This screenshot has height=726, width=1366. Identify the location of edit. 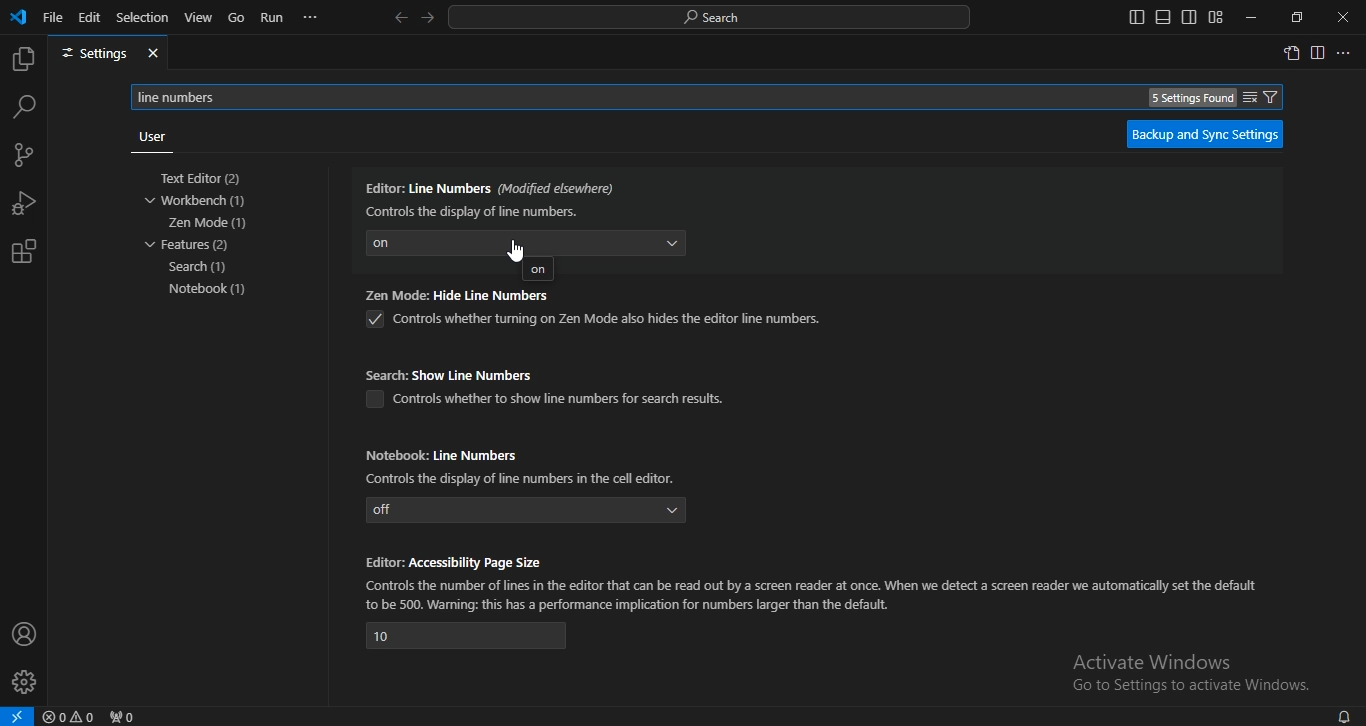
(90, 16).